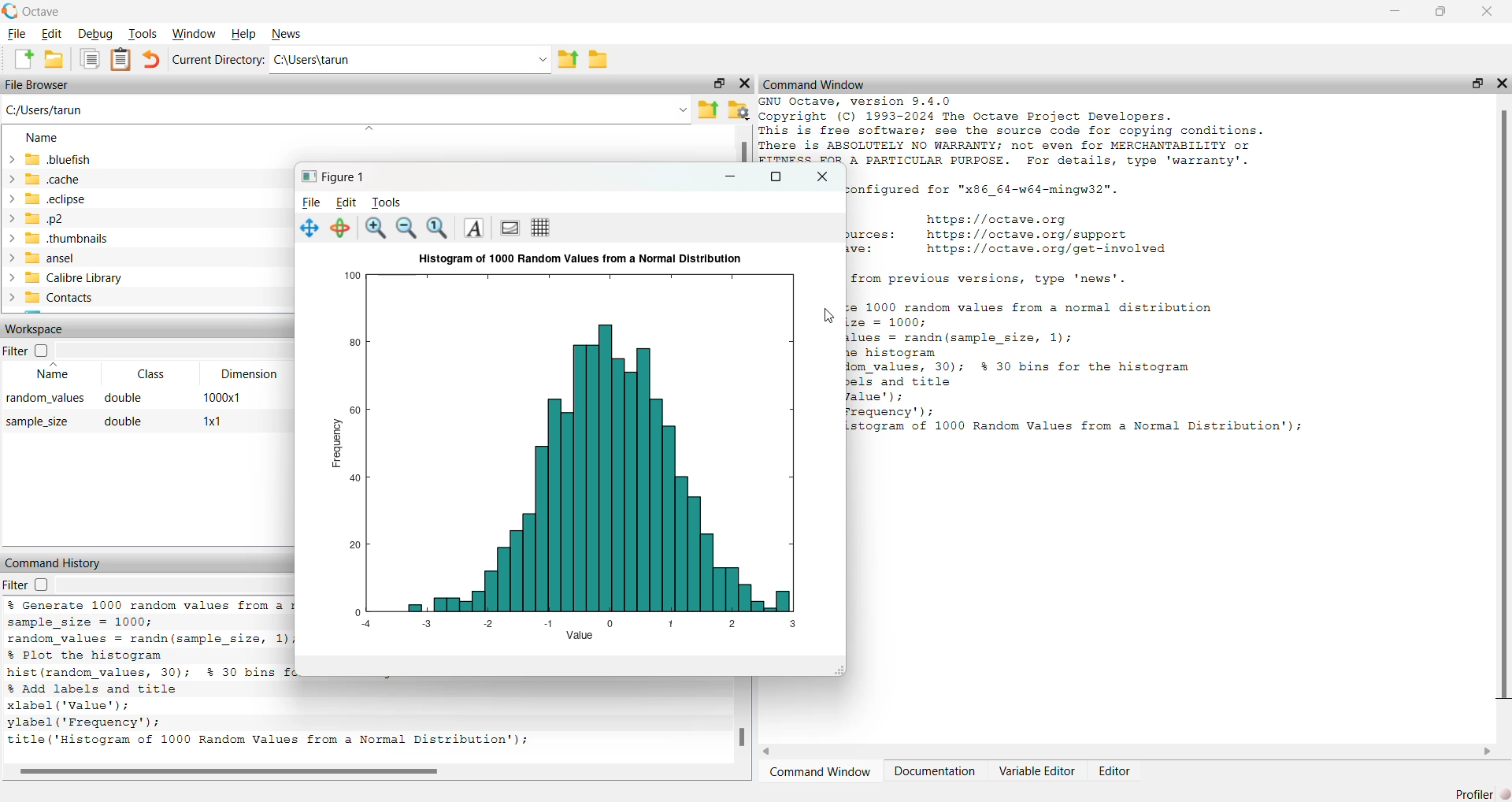  Describe the element at coordinates (44, 399) in the screenshot. I see `random_values` at that location.